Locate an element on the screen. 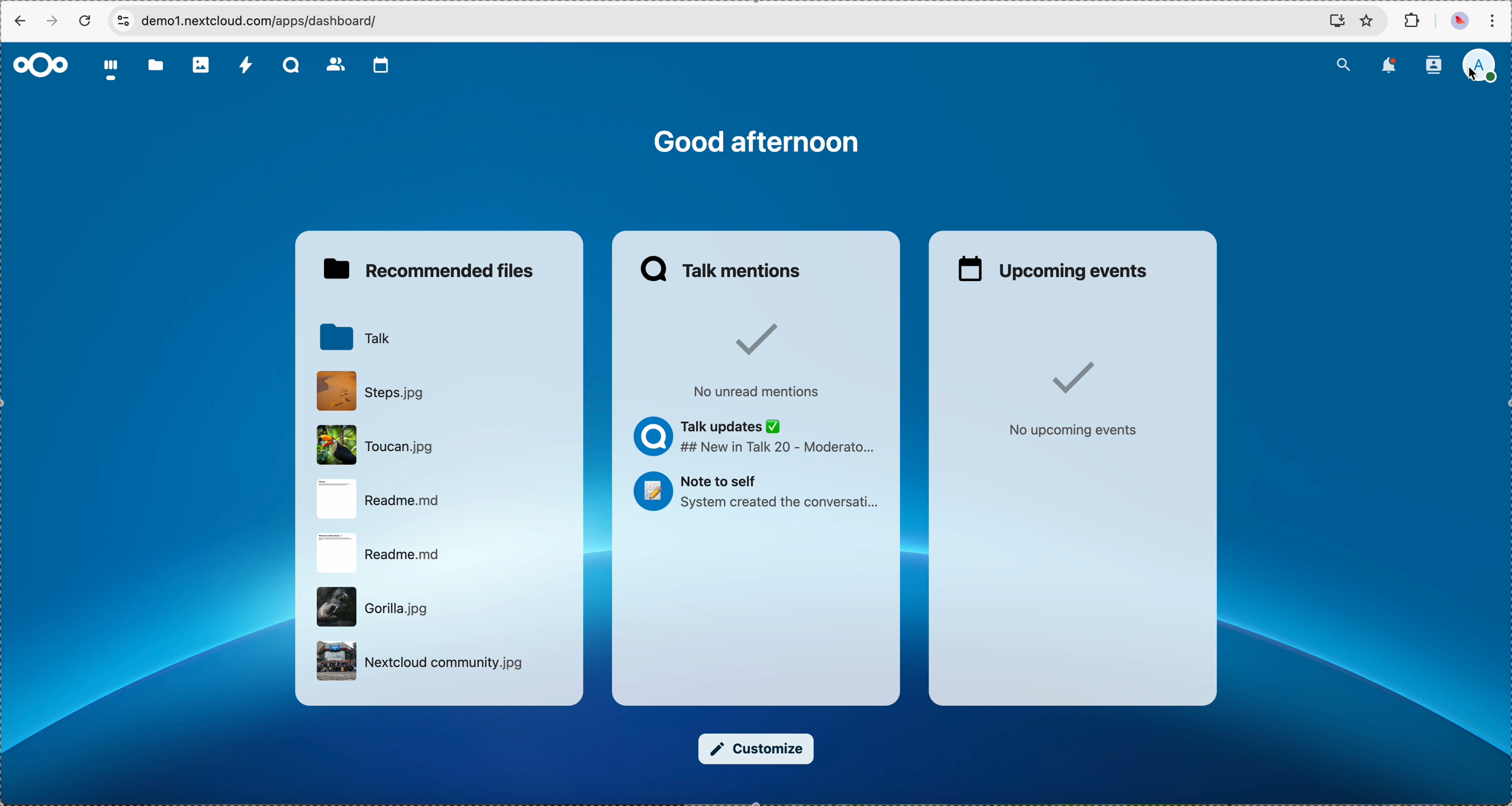 The width and height of the screenshot is (1512, 806). file is located at coordinates (372, 446).